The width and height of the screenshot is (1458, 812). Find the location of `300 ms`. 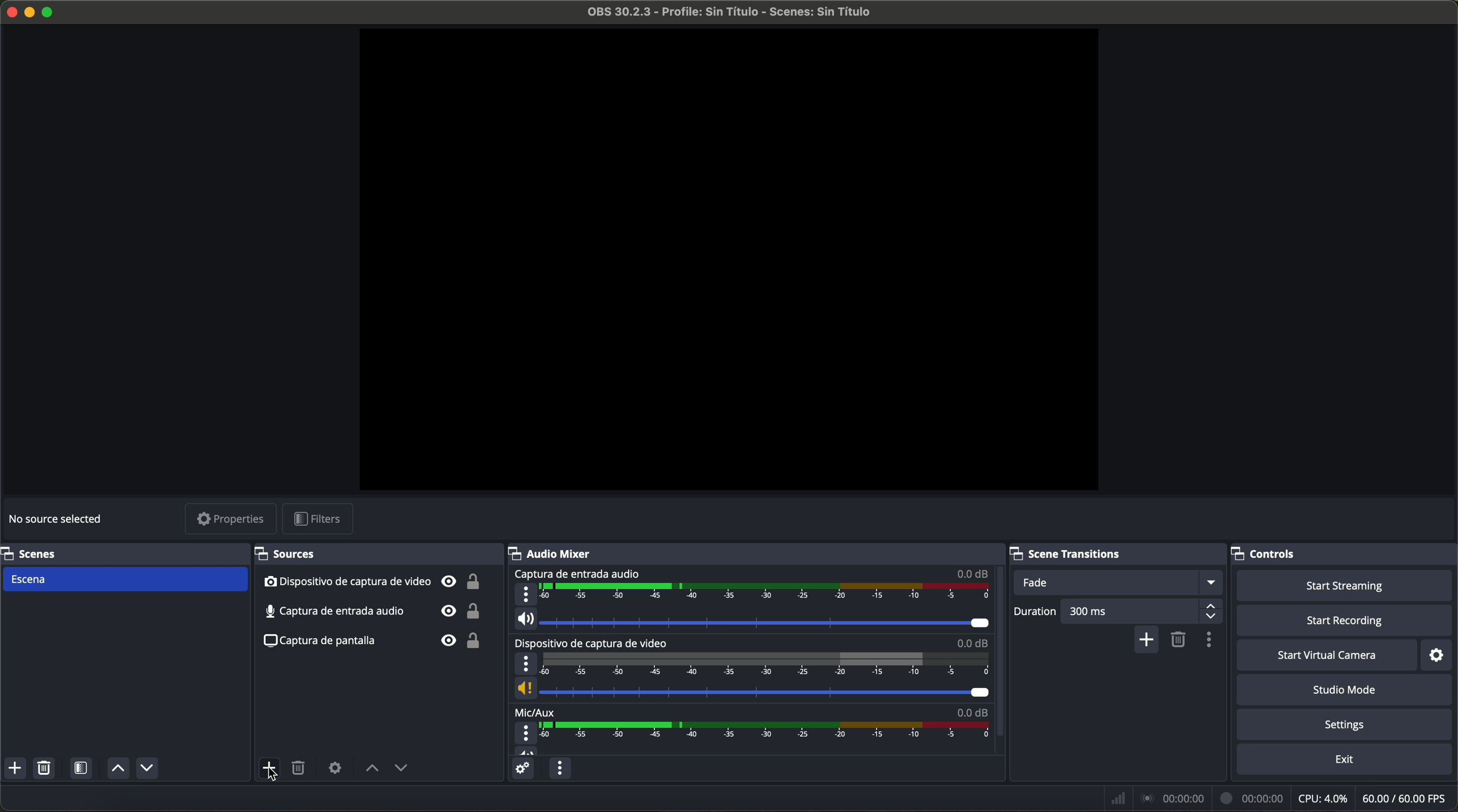

300 ms is located at coordinates (1143, 611).